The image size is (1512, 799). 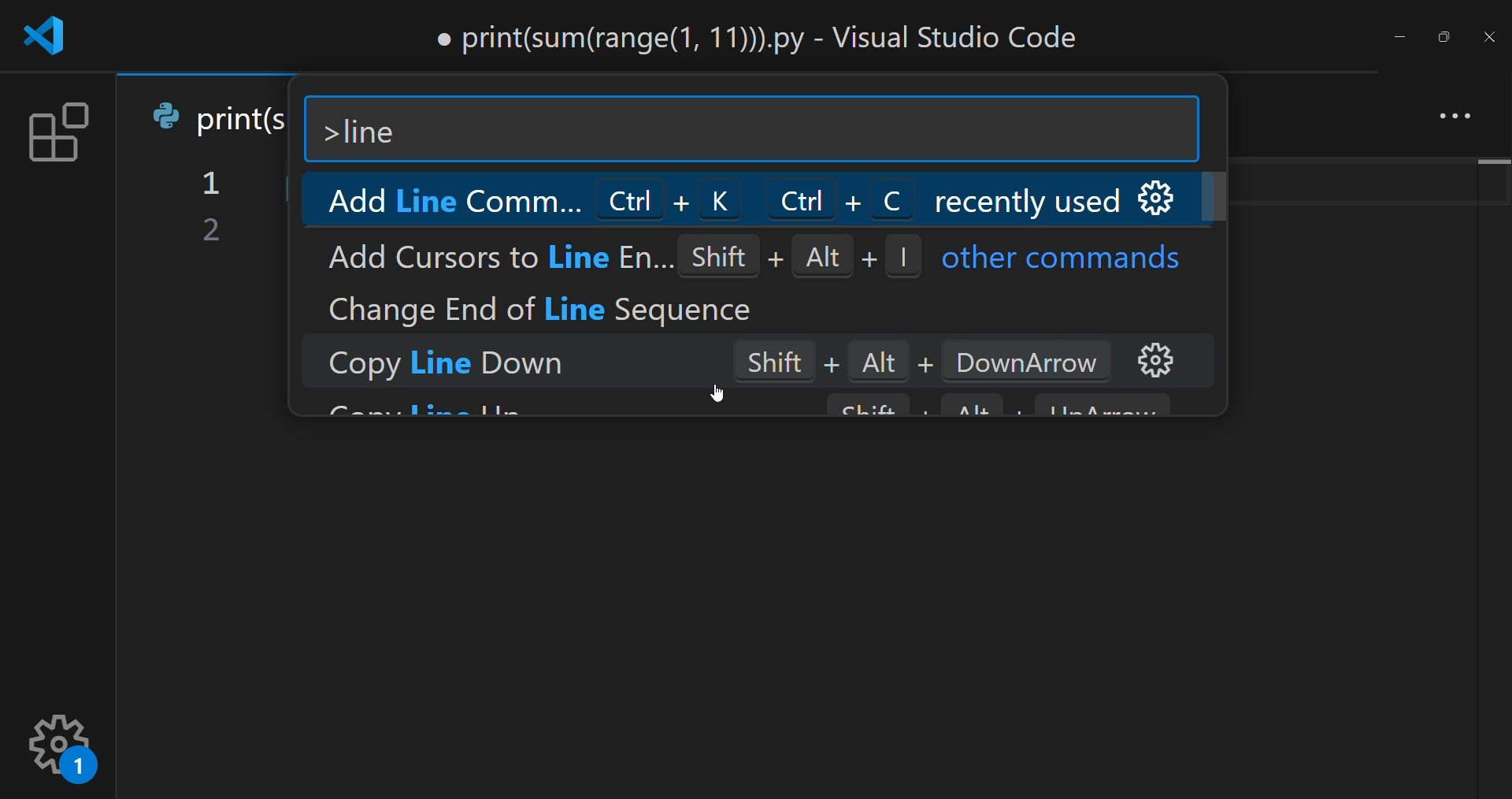 I want to click on other commands, so click(x=1062, y=254).